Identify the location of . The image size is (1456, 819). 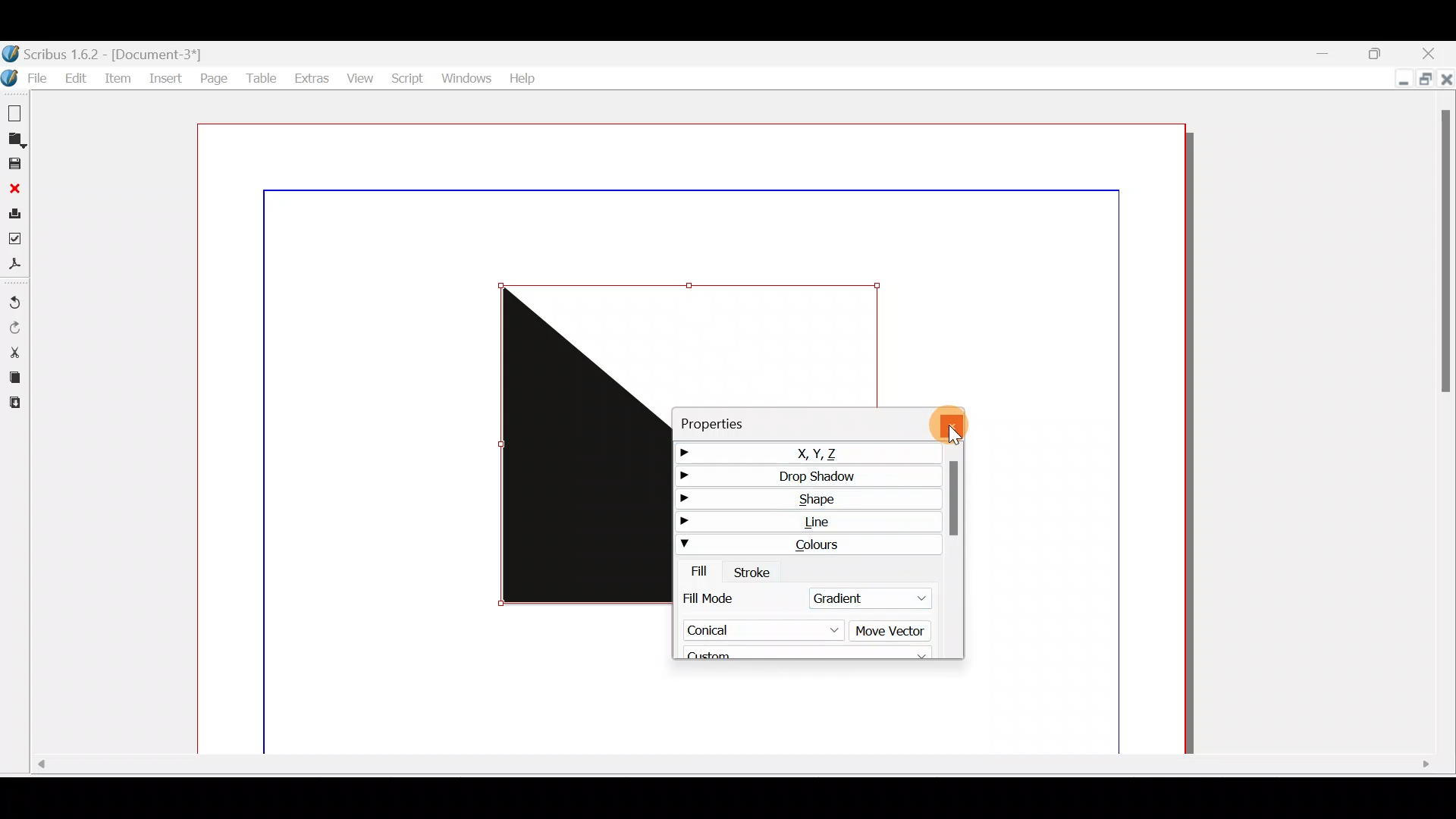
(759, 629).